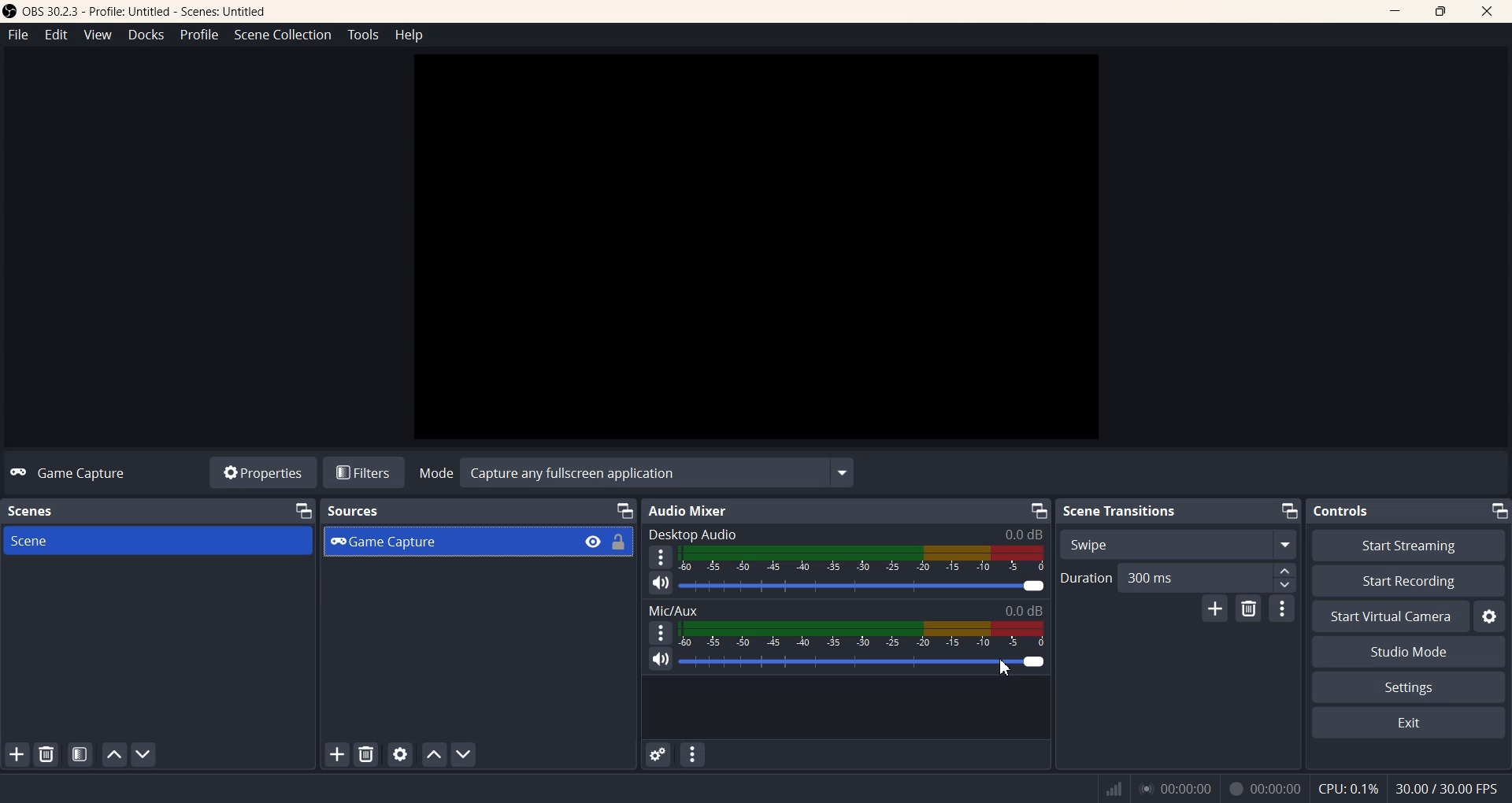  I want to click on Start streaming, so click(1410, 545).